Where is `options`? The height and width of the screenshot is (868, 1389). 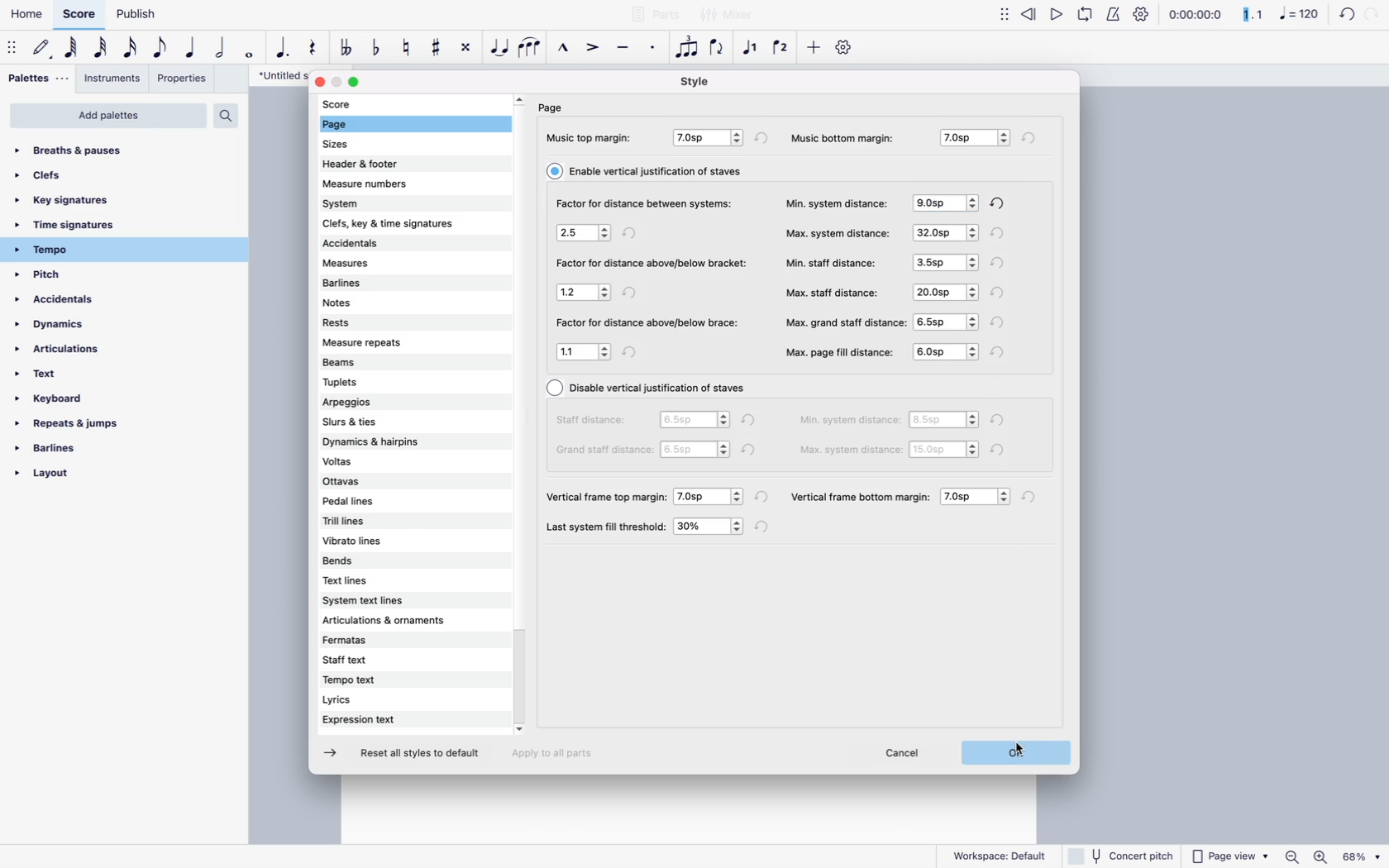
options is located at coordinates (694, 419).